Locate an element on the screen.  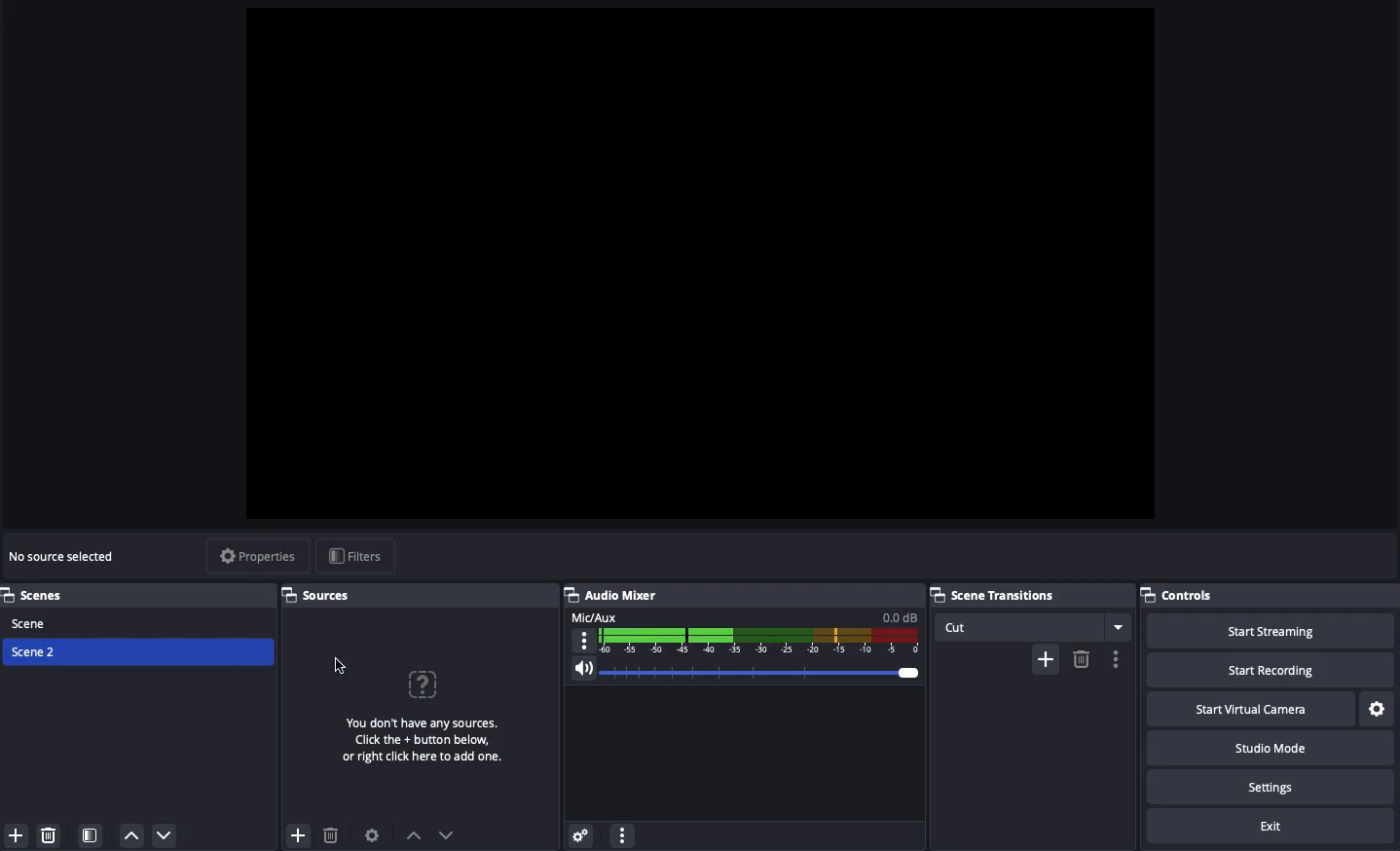
Scene transitions is located at coordinates (1026, 596).